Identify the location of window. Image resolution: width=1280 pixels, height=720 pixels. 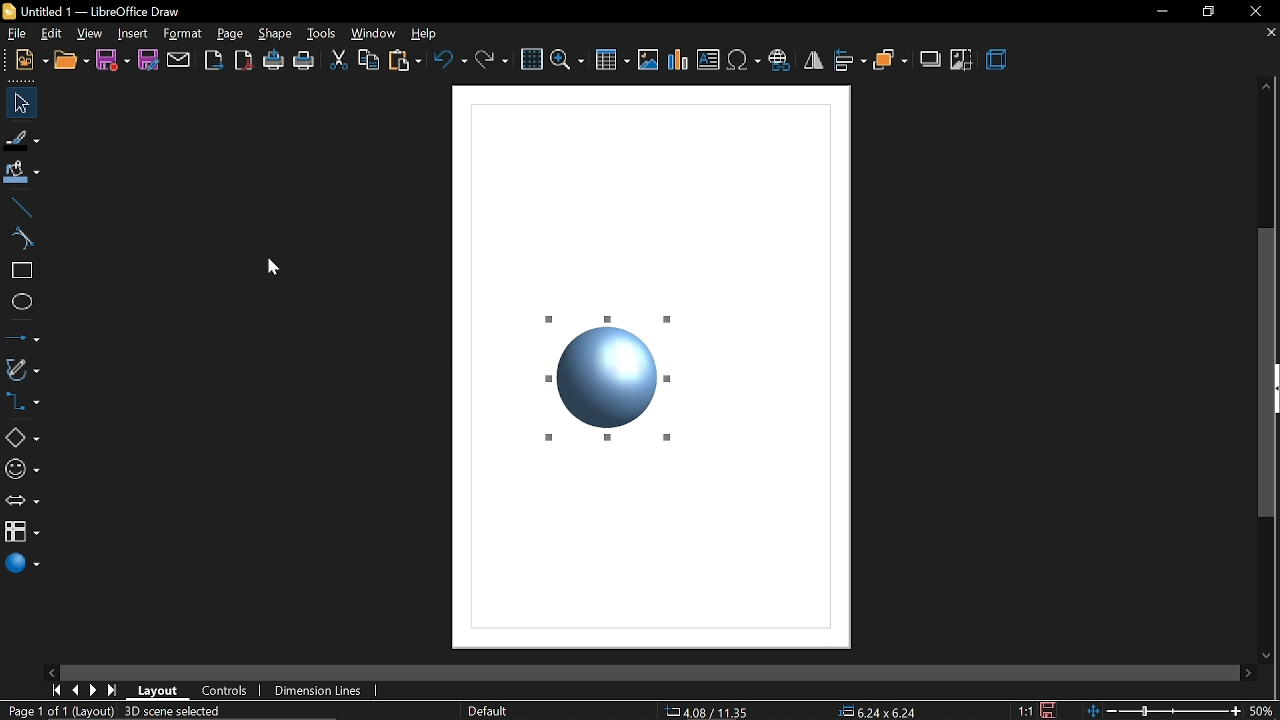
(374, 35).